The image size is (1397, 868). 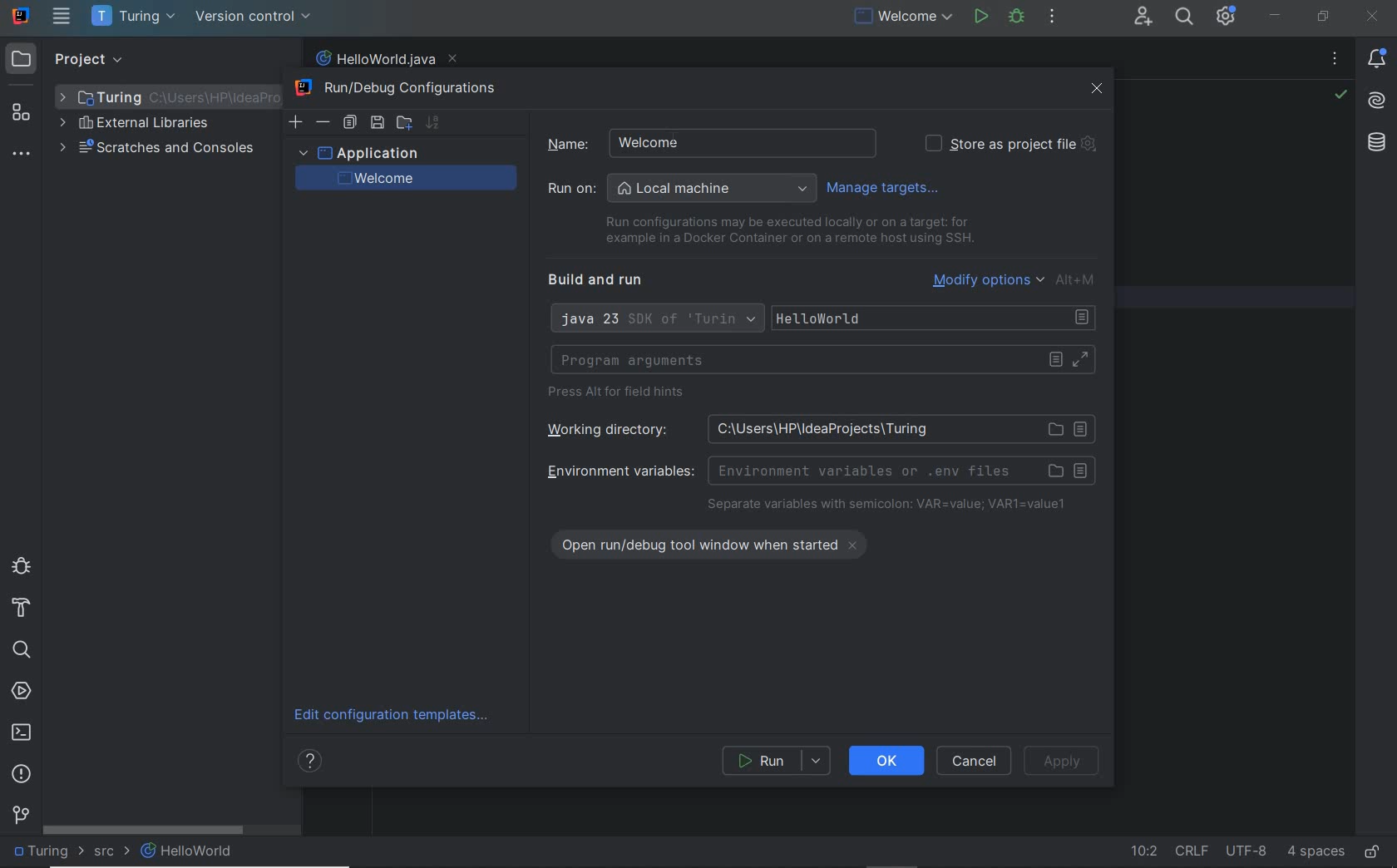 What do you see at coordinates (22, 16) in the screenshot?
I see `system name` at bounding box center [22, 16].